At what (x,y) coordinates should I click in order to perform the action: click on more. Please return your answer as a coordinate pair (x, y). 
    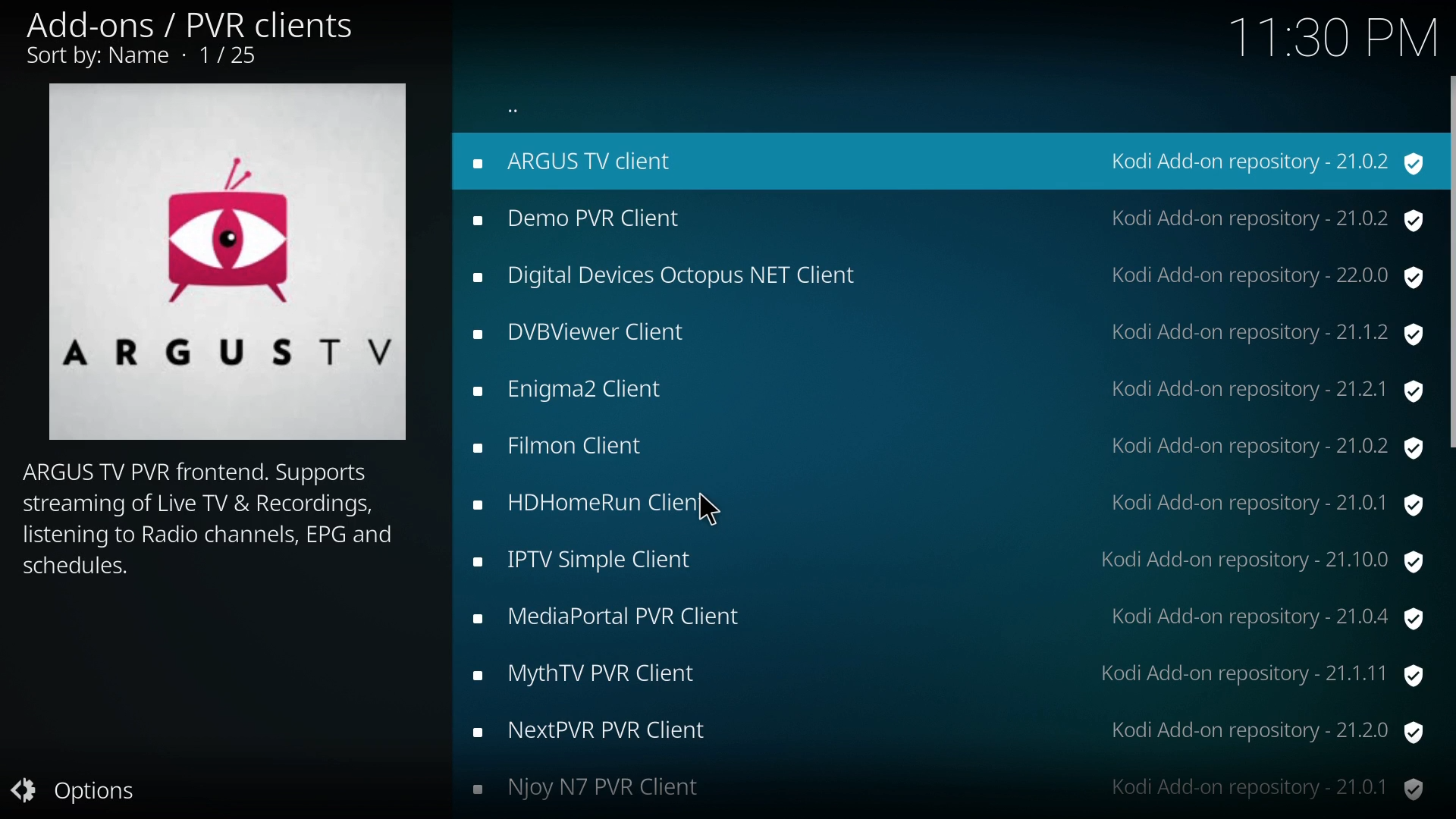
    Looking at the image, I should click on (522, 111).